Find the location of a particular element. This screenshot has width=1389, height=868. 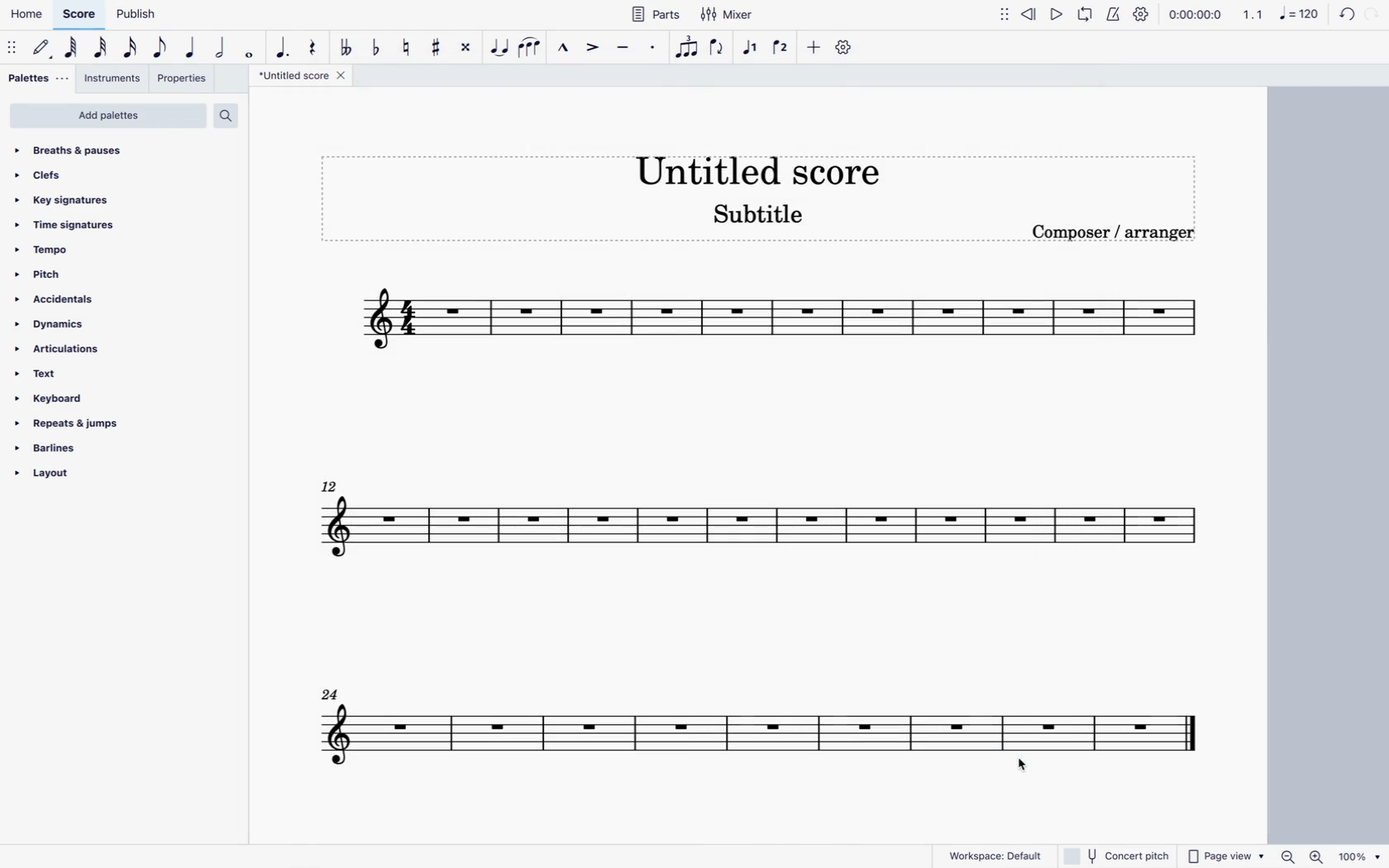

mixer is located at coordinates (731, 15).